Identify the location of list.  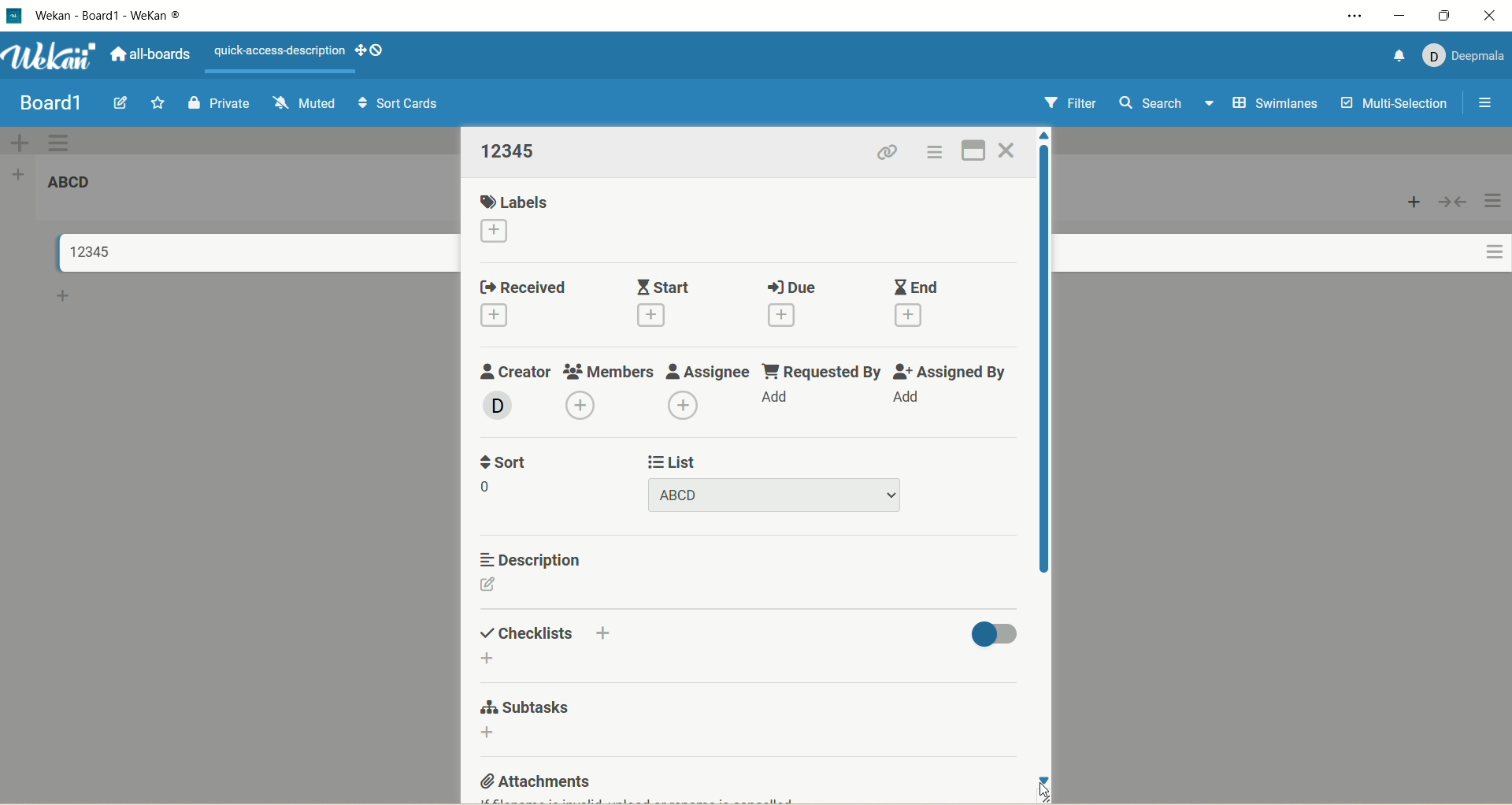
(673, 461).